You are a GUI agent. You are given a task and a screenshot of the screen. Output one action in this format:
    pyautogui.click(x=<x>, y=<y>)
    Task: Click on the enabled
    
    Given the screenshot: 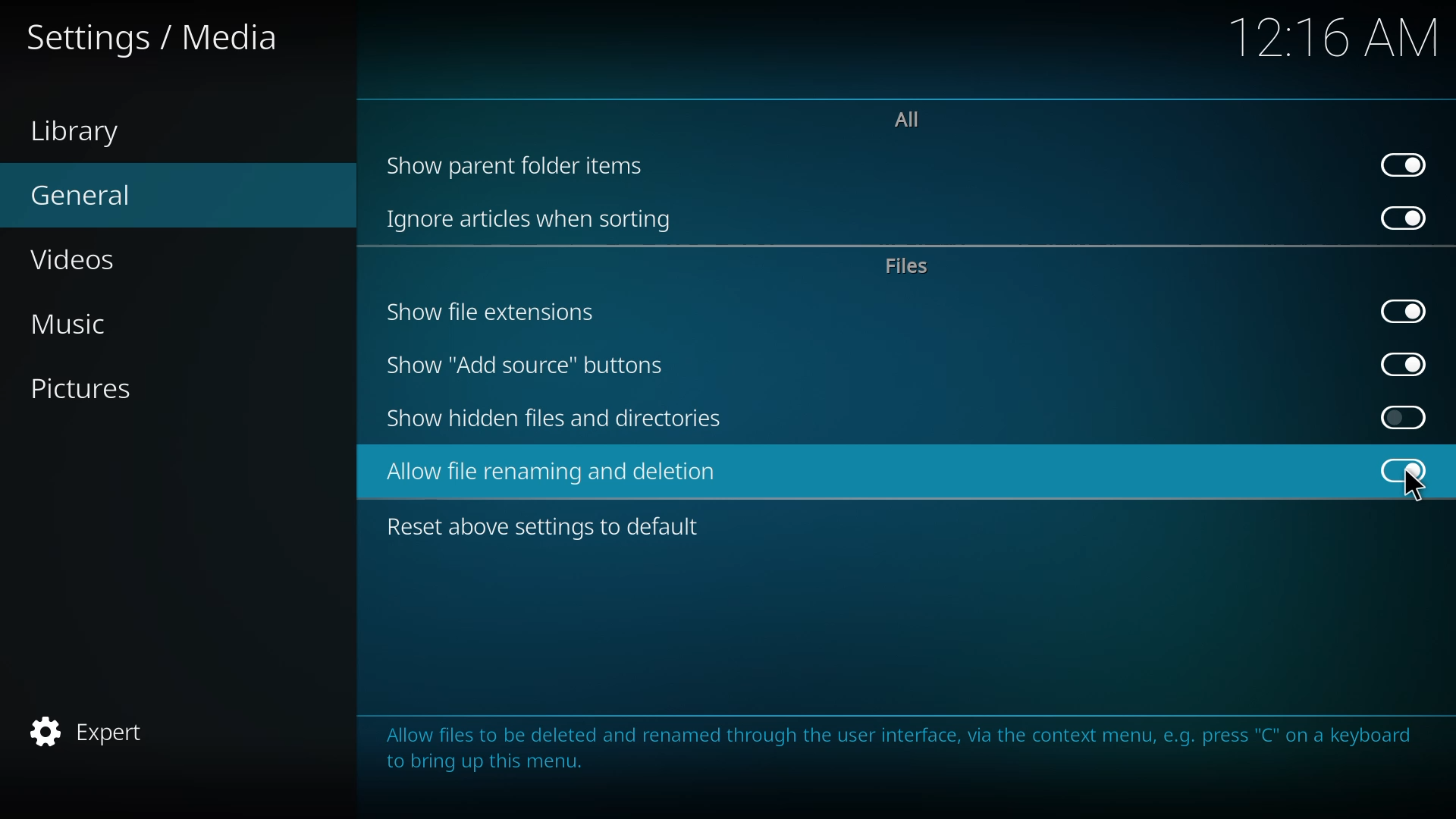 What is the action you would take?
    pyautogui.click(x=1401, y=469)
    